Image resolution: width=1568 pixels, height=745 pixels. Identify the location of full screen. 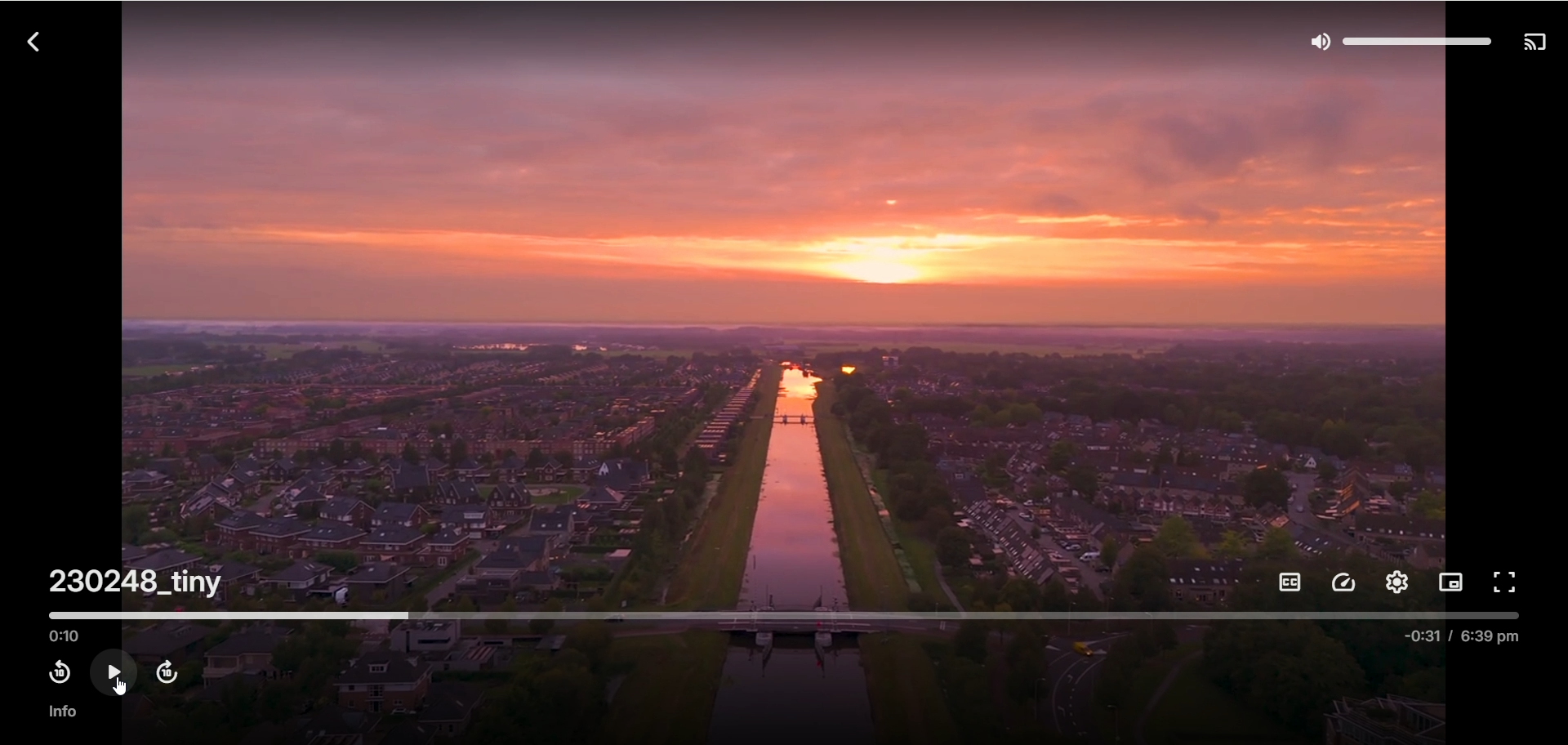
(1510, 581).